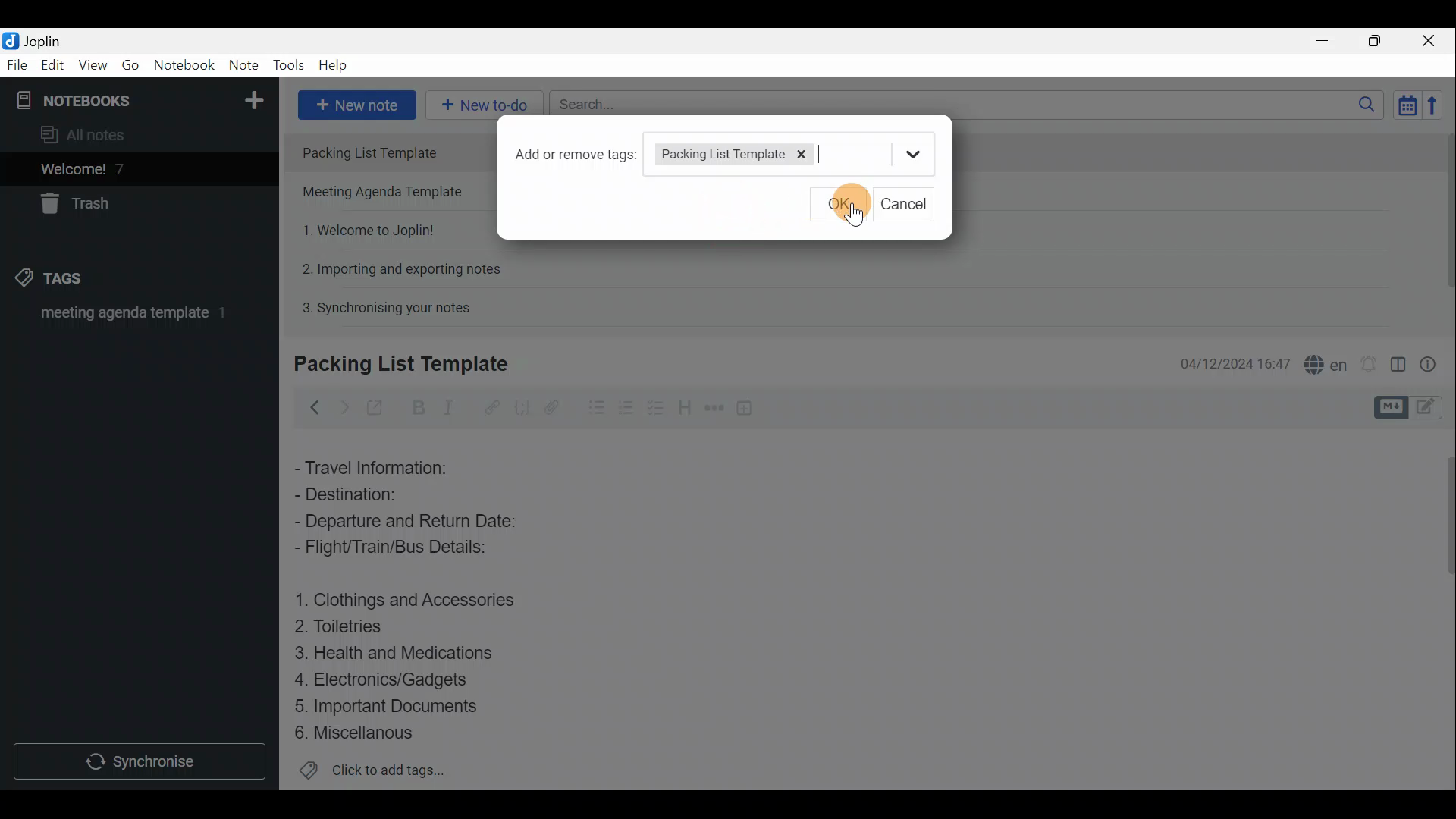  I want to click on Click to add tags, so click(372, 770).